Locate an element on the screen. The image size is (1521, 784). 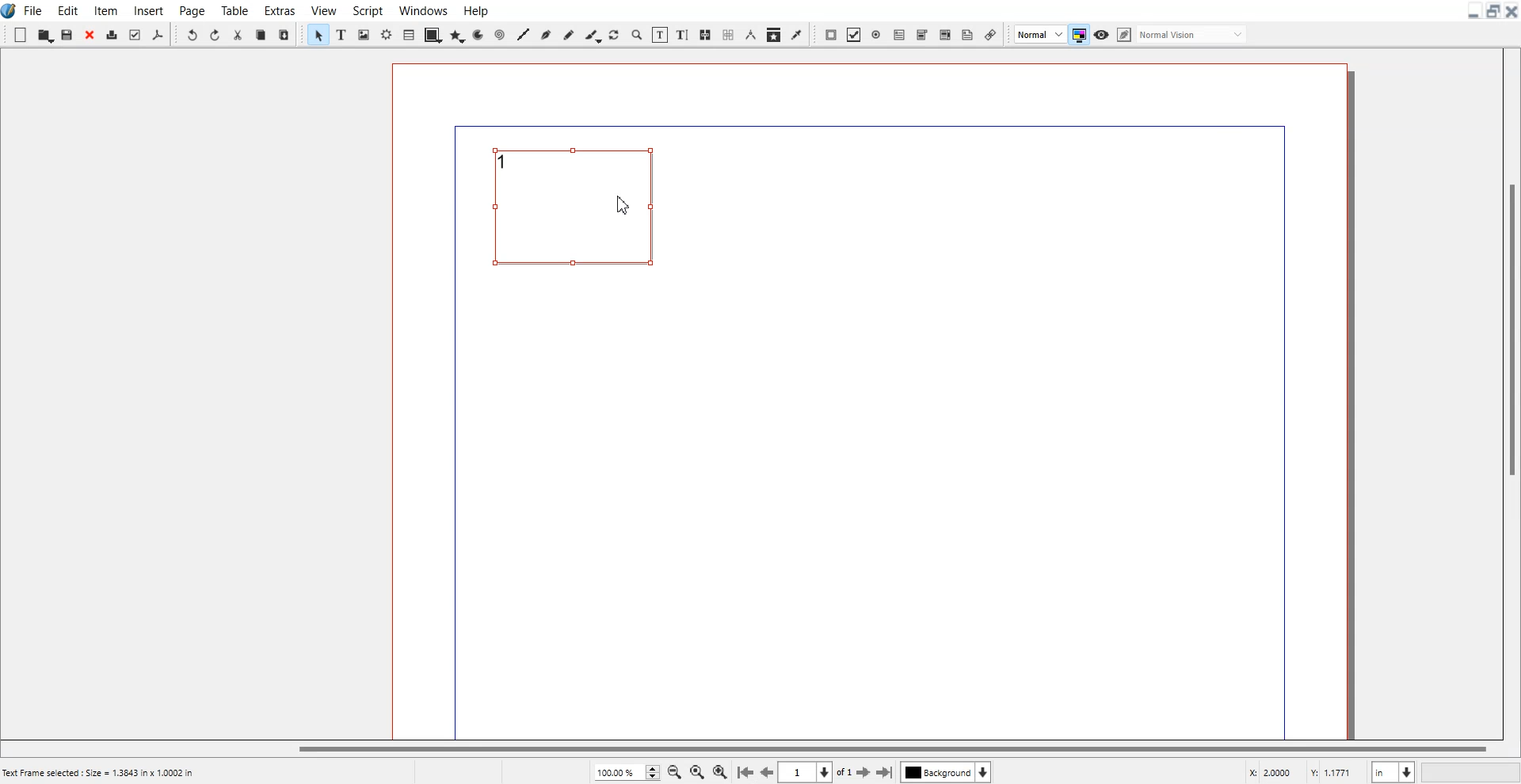
Text Annotation is located at coordinates (967, 35).